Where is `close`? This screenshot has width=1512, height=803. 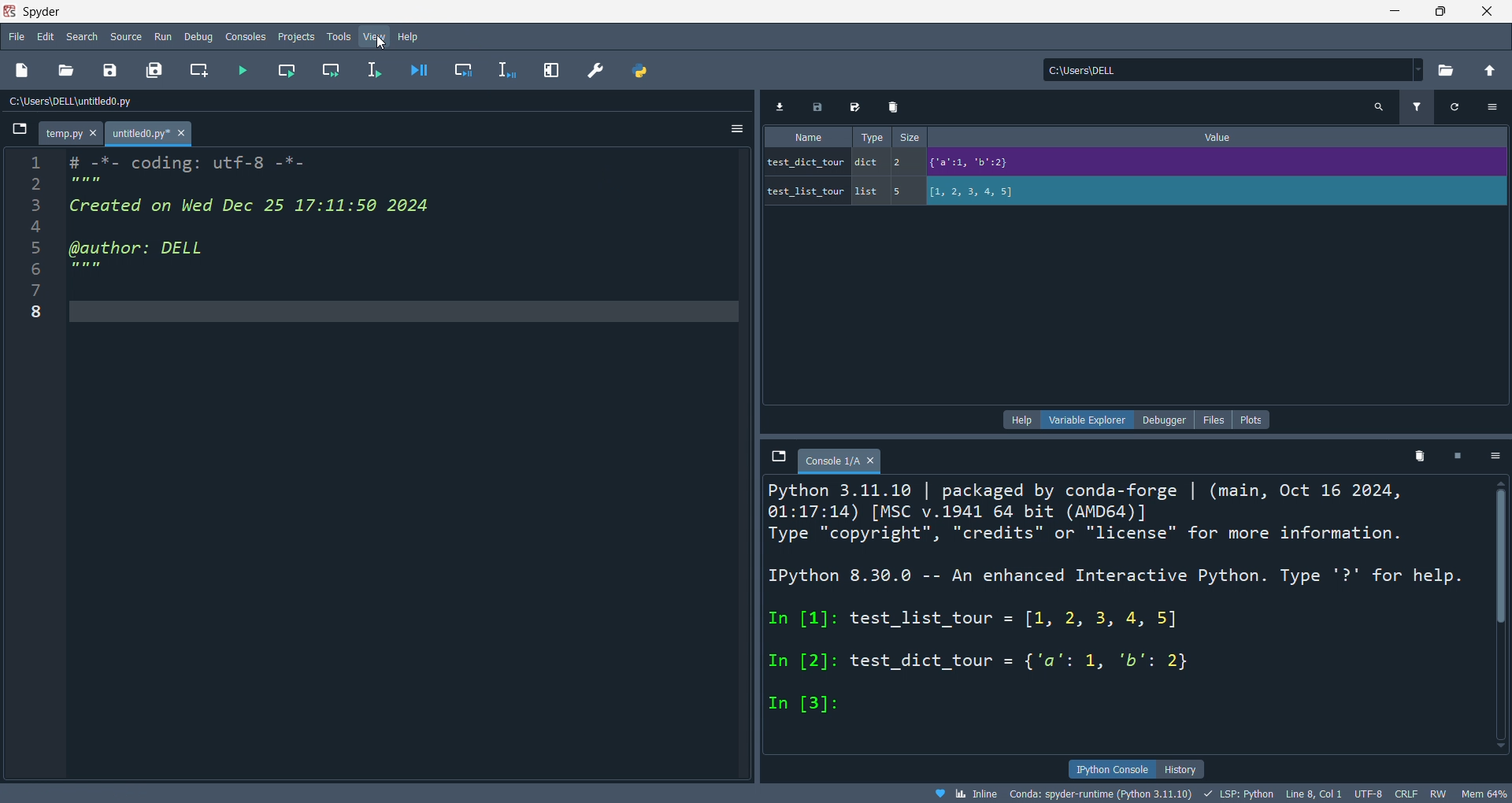
close is located at coordinates (1488, 11).